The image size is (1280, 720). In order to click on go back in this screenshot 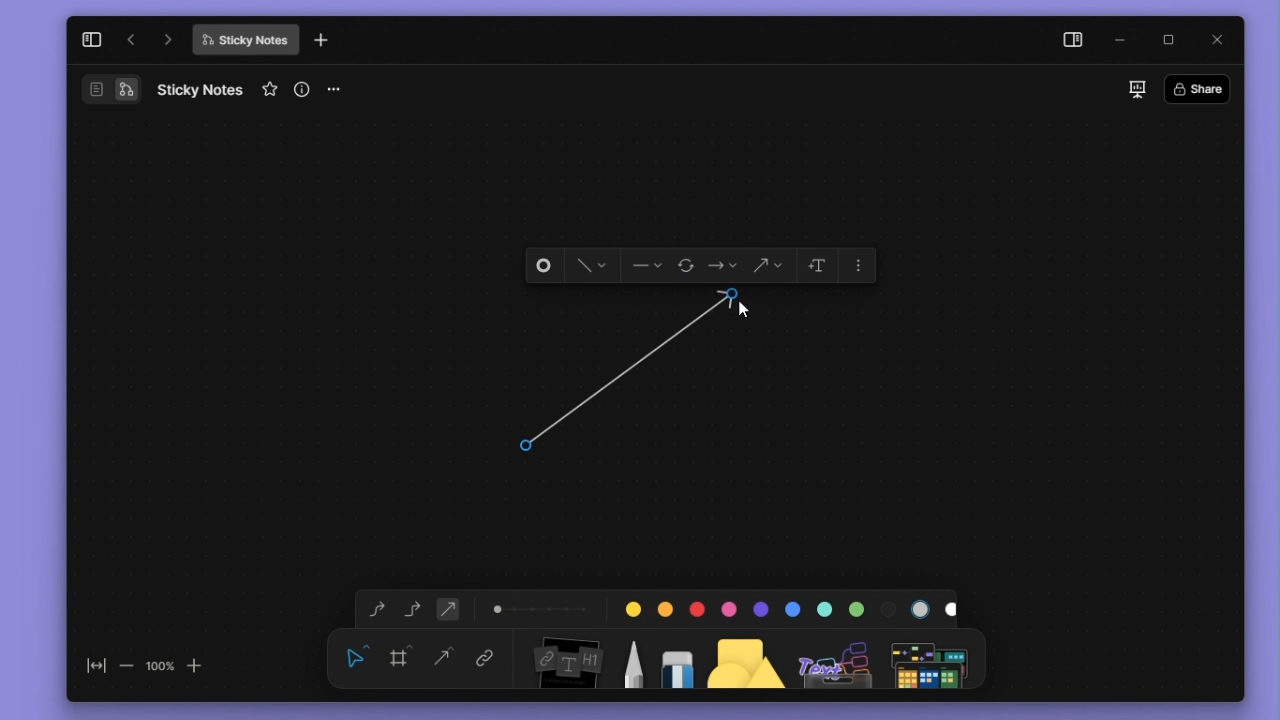, I will do `click(131, 40)`.